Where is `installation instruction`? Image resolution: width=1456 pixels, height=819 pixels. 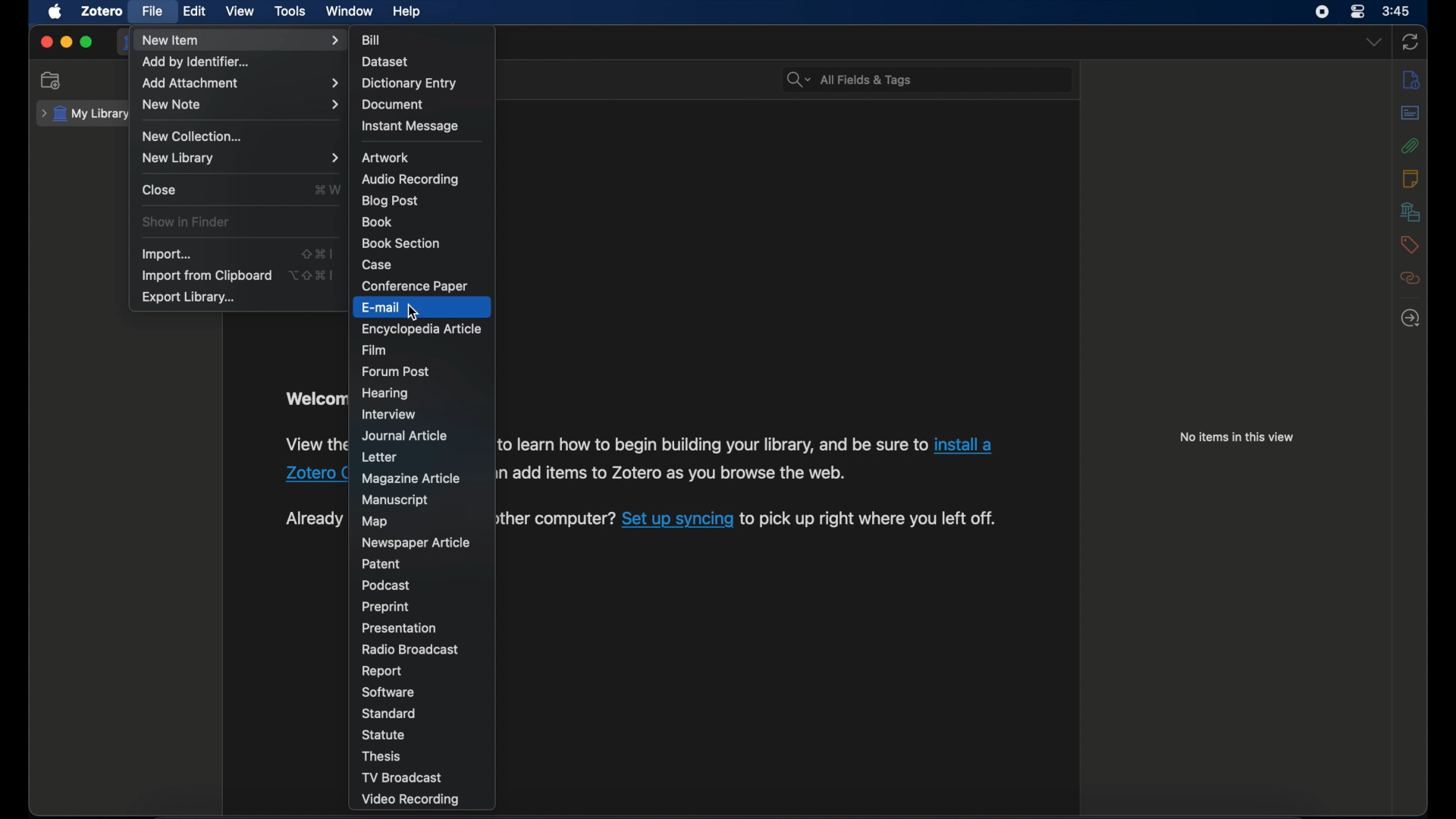 installation instruction is located at coordinates (745, 459).